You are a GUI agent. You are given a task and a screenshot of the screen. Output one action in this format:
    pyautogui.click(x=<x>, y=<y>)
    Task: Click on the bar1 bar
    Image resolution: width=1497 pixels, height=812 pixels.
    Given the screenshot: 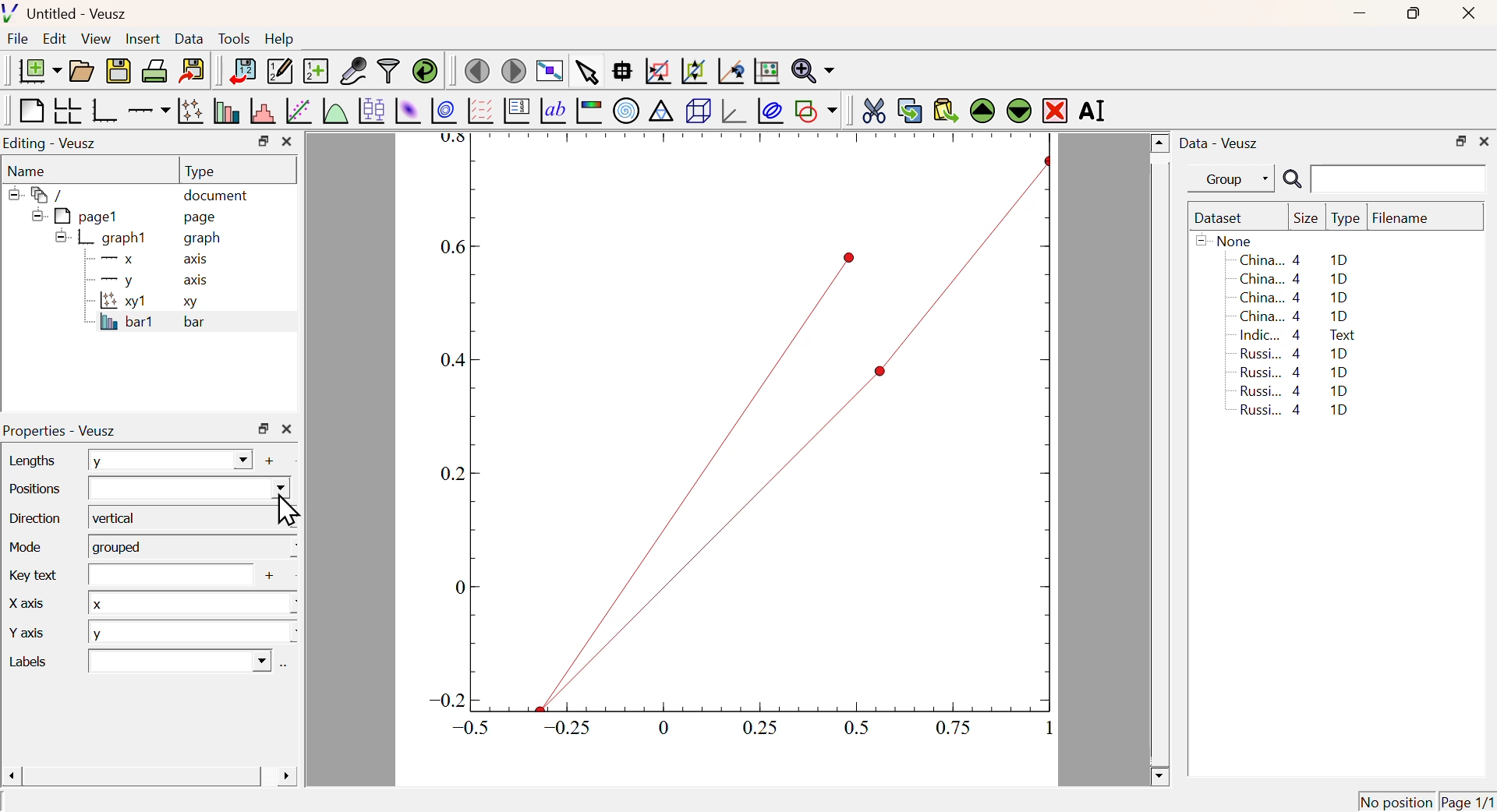 What is the action you would take?
    pyautogui.click(x=145, y=324)
    